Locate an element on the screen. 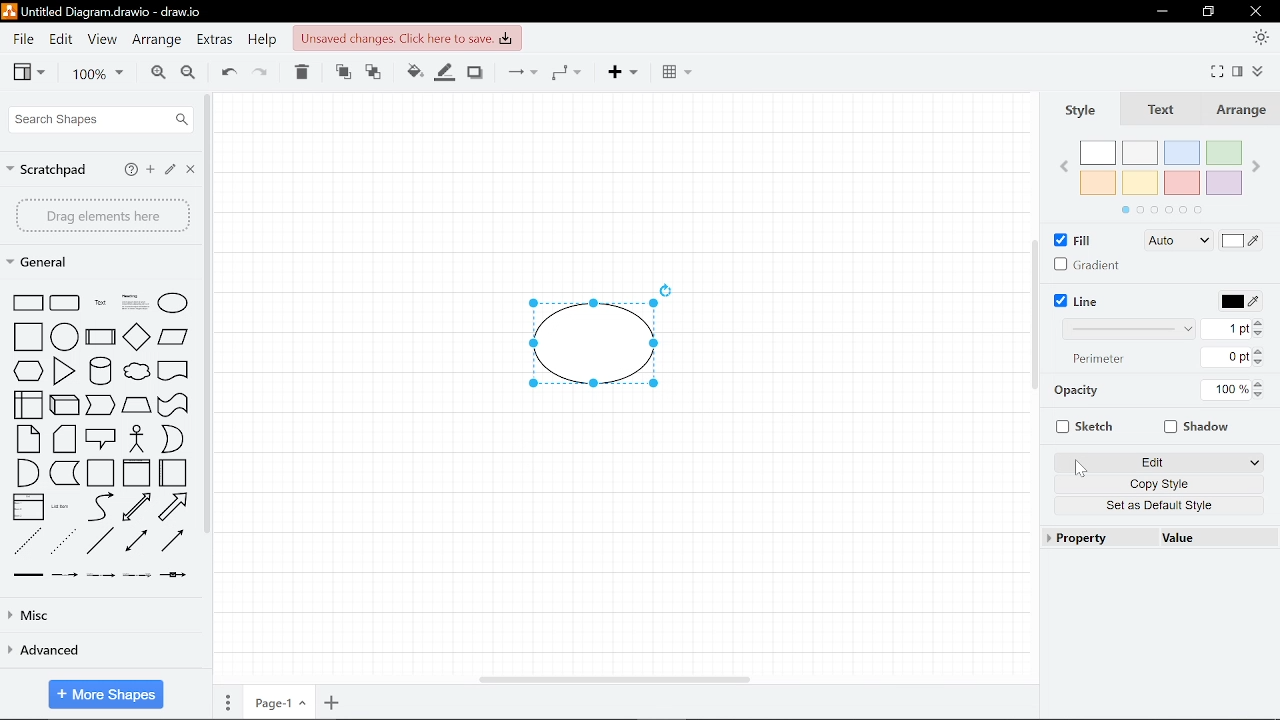  Current diagram is located at coordinates (605, 333).